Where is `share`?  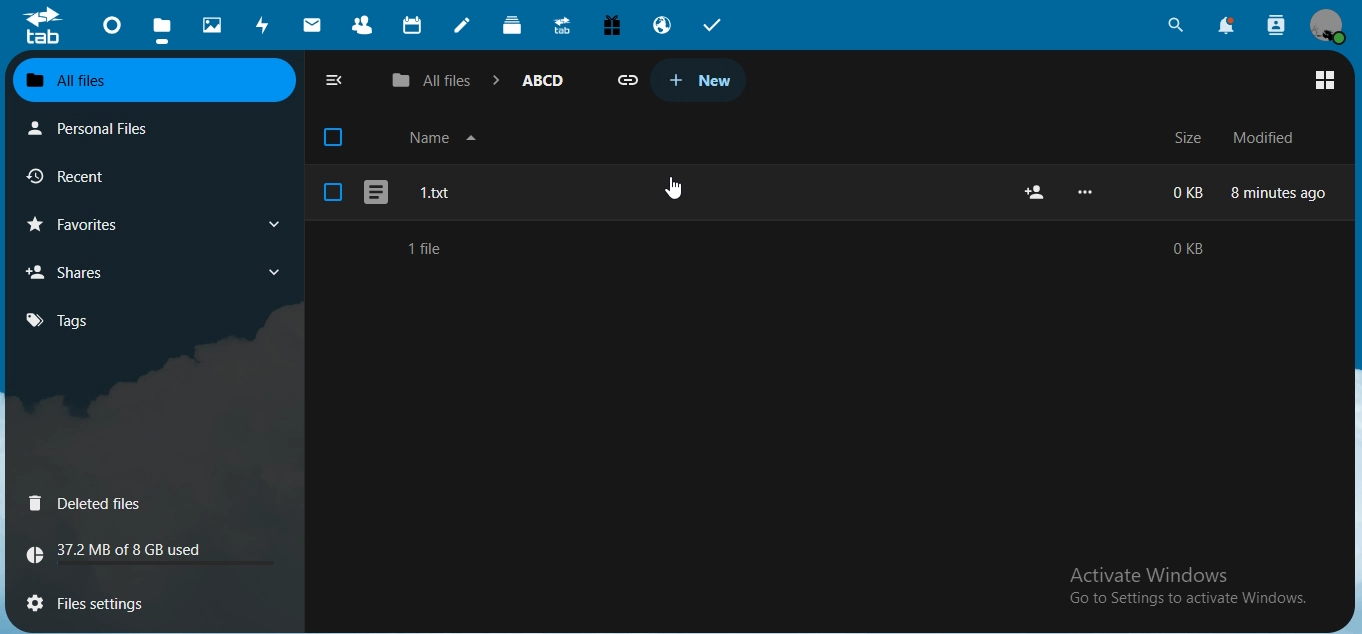
share is located at coordinates (1039, 191).